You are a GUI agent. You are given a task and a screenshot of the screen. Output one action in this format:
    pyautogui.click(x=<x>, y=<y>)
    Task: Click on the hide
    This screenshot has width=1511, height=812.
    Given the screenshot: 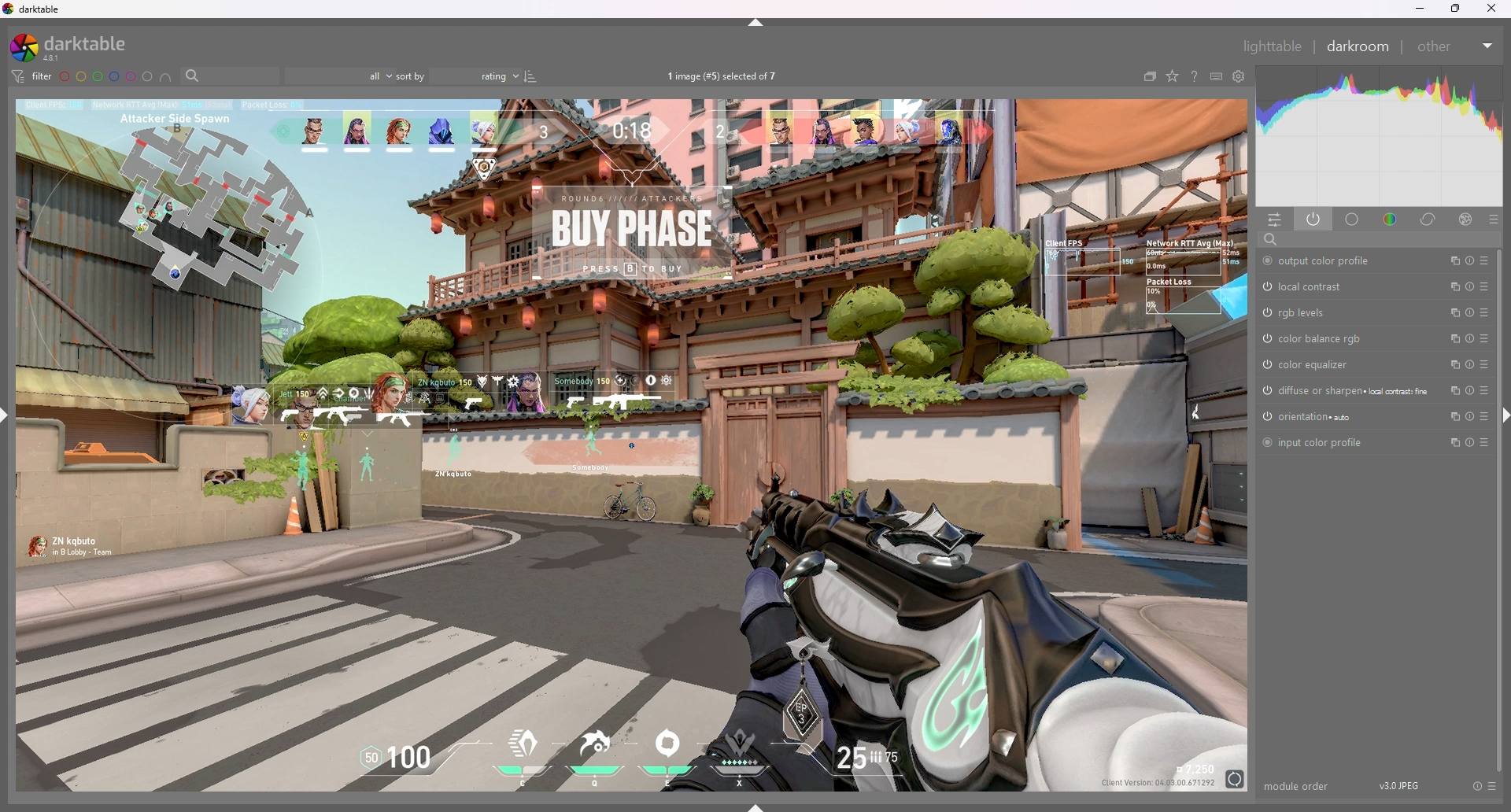 What is the action you would take?
    pyautogui.click(x=757, y=22)
    